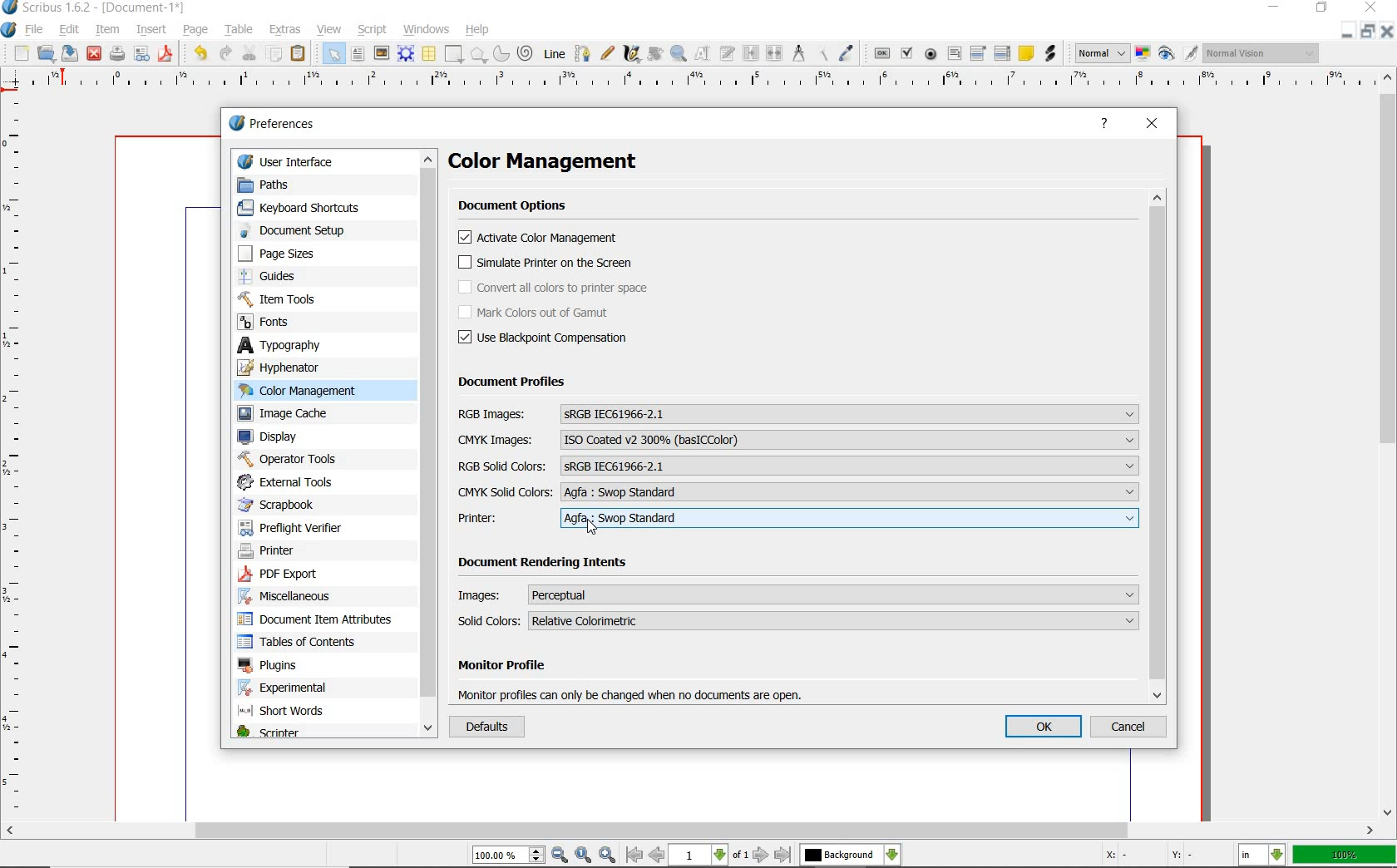 The width and height of the screenshot is (1397, 868). I want to click on zoom in/zoom to/zoom out, so click(546, 856).